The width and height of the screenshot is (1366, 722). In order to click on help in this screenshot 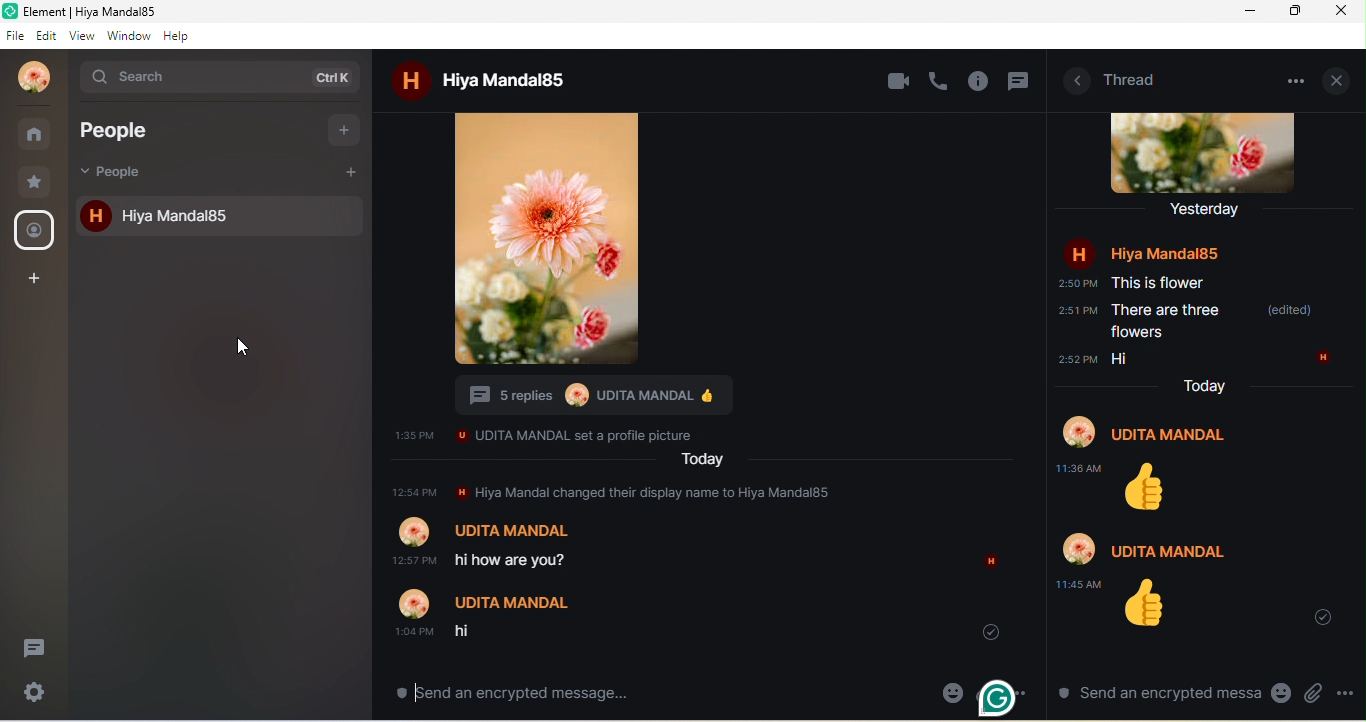, I will do `click(183, 36)`.